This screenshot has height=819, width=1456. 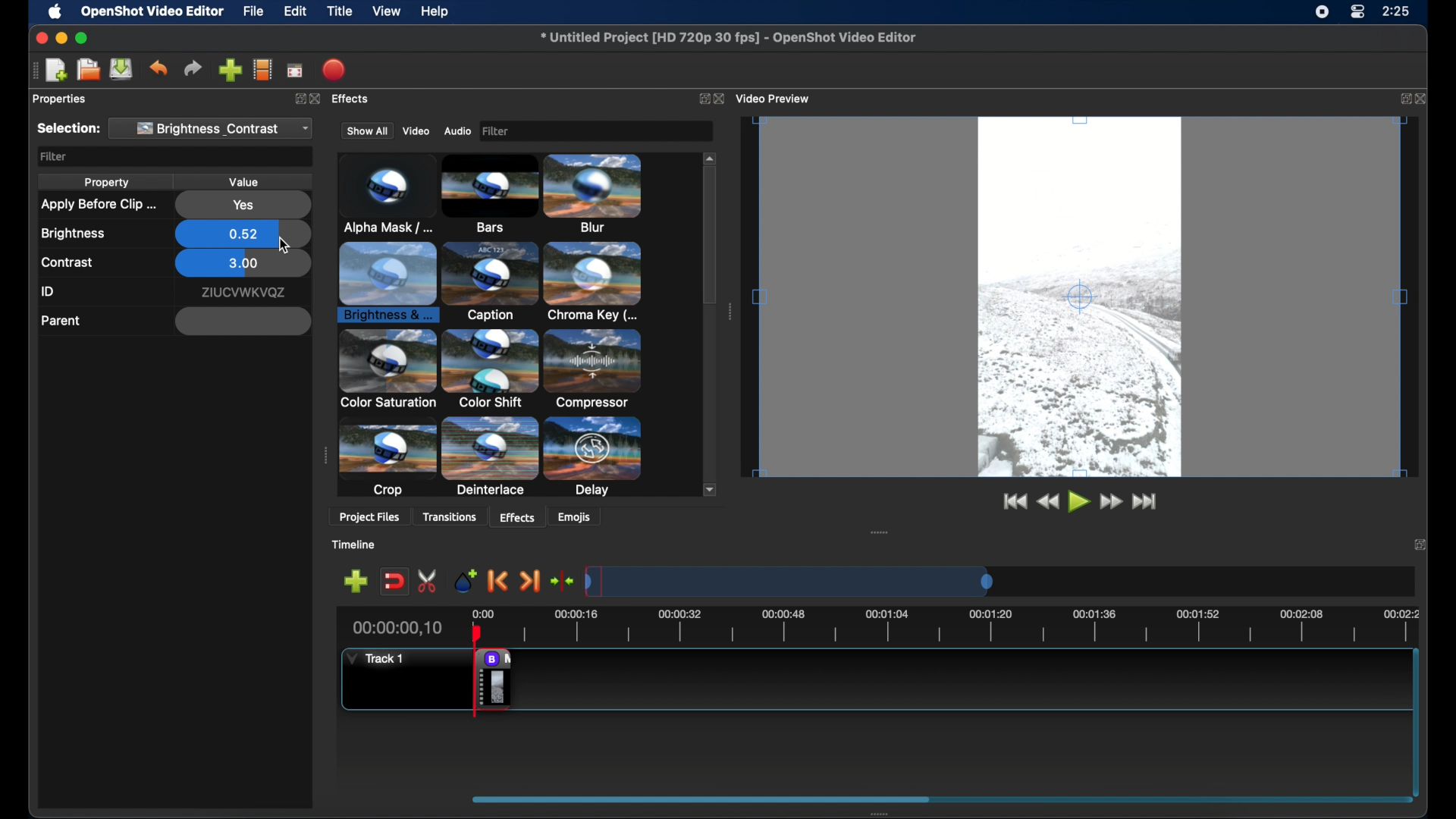 What do you see at coordinates (1149, 504) in the screenshot?
I see `jump to end` at bounding box center [1149, 504].